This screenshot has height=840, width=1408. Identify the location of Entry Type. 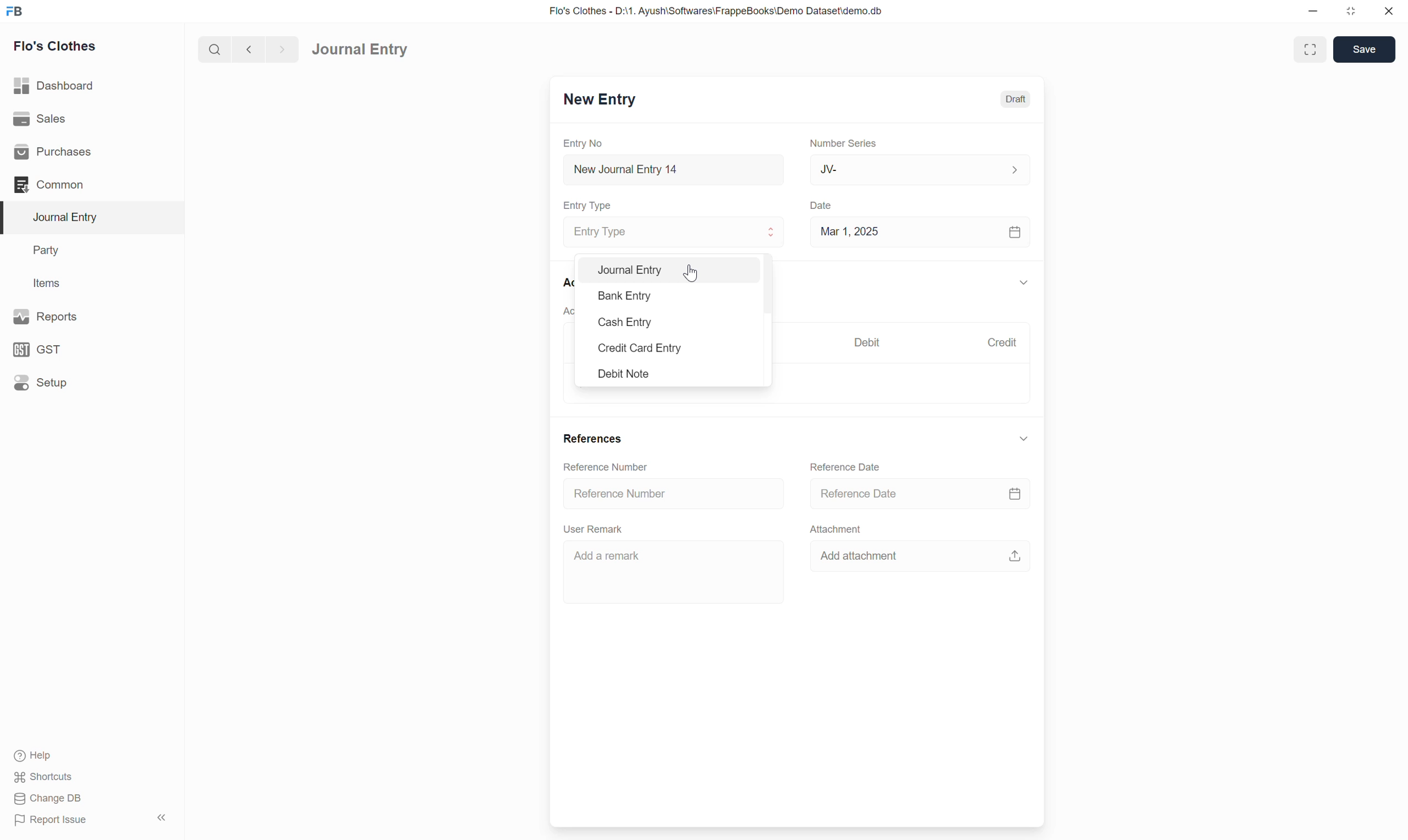
(591, 205).